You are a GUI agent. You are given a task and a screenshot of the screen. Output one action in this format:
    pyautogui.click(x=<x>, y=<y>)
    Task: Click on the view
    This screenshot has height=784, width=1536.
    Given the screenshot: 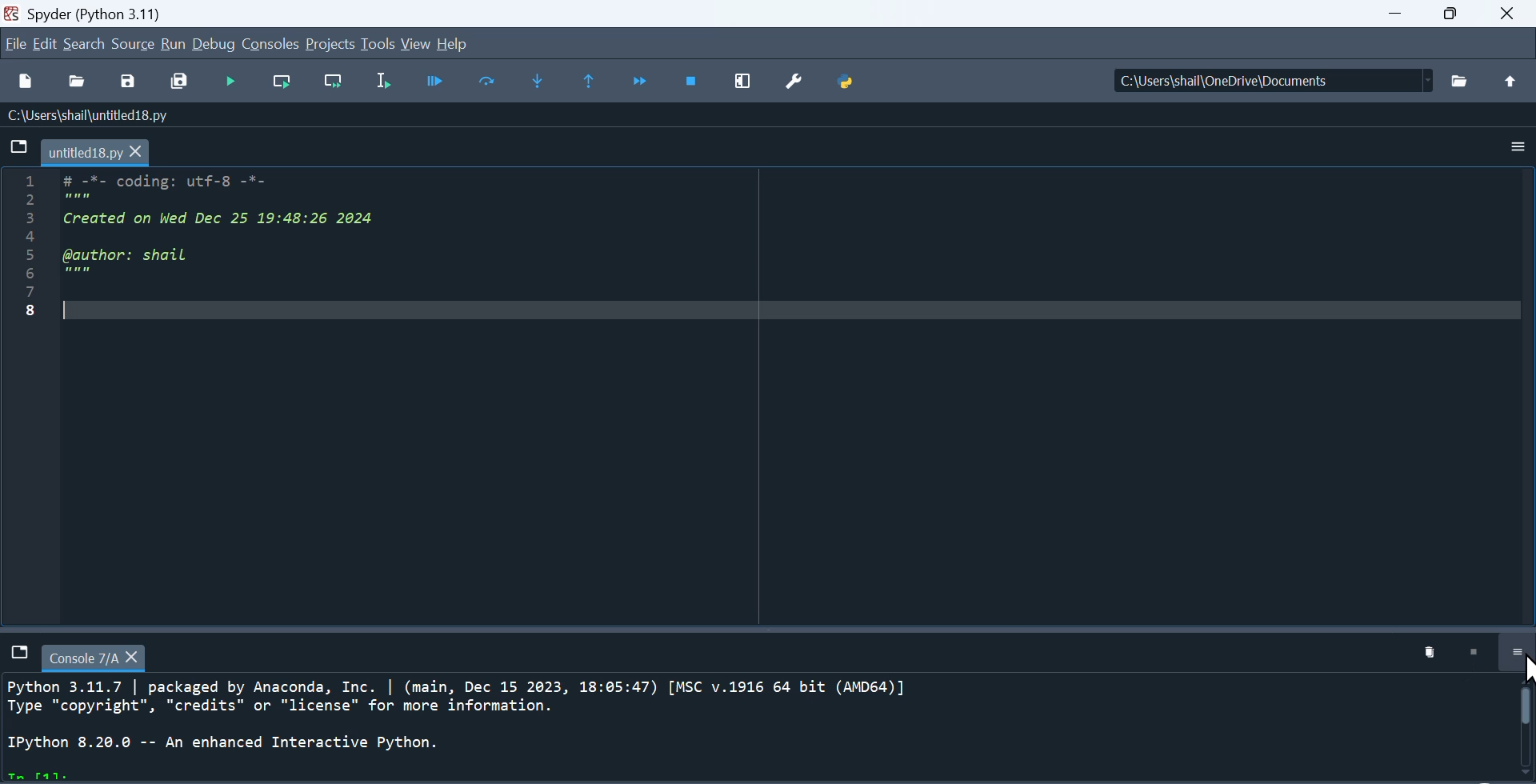 What is the action you would take?
    pyautogui.click(x=413, y=43)
    